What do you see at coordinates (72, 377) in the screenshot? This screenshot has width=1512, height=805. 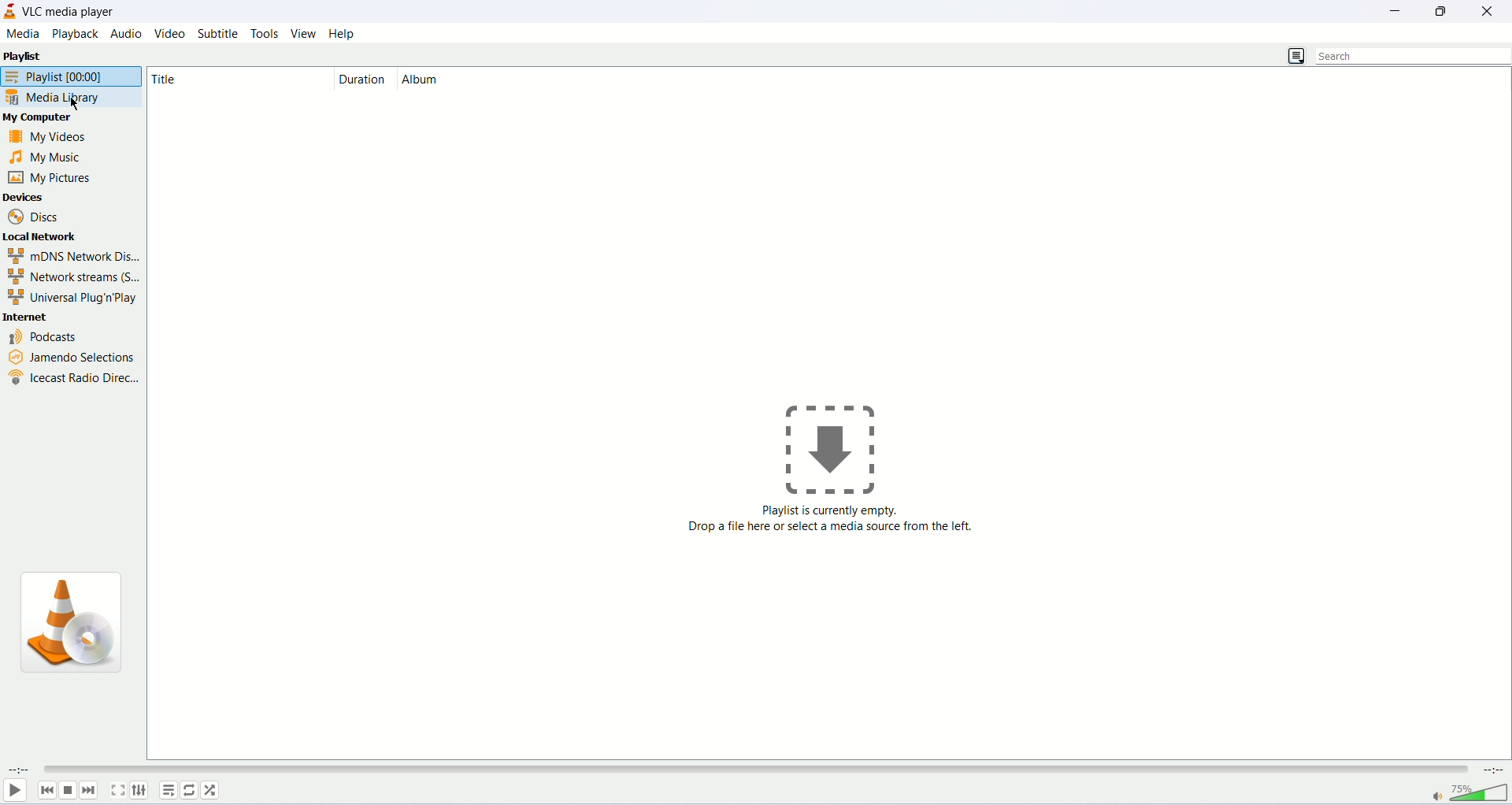 I see `icecast radio` at bounding box center [72, 377].